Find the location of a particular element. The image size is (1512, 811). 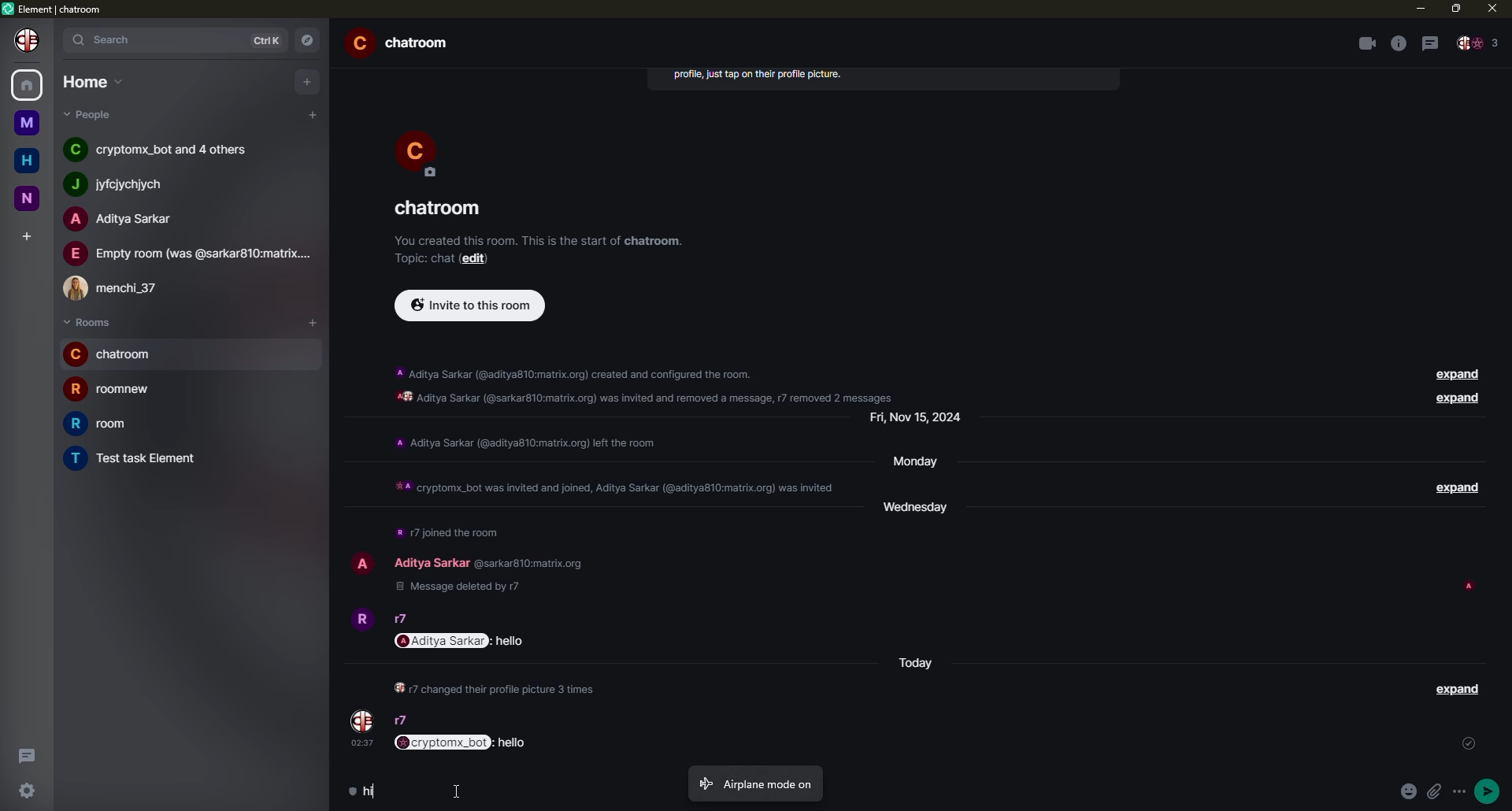

video is located at coordinates (1364, 43).